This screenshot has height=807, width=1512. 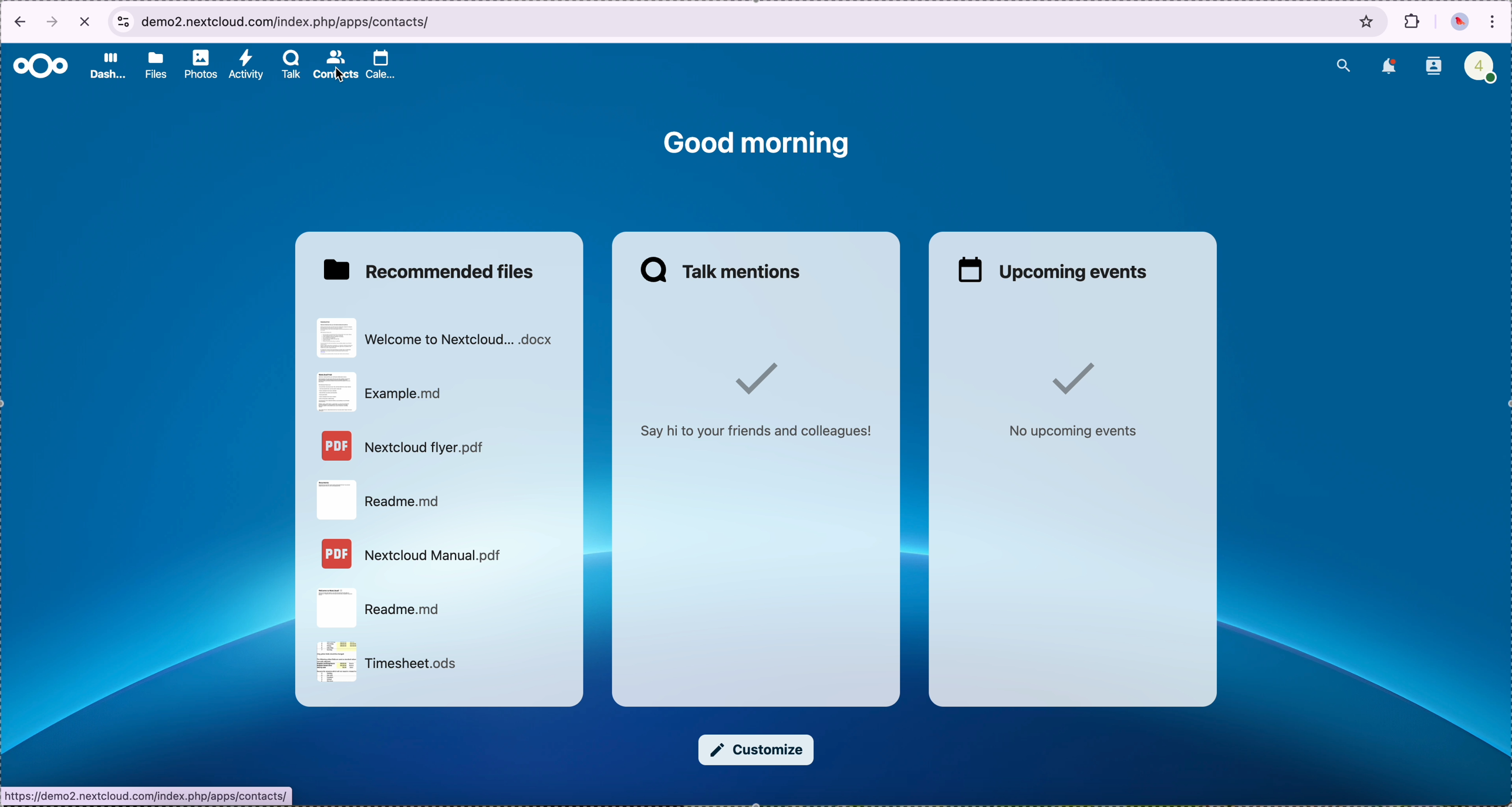 I want to click on contacts, so click(x=1433, y=66).